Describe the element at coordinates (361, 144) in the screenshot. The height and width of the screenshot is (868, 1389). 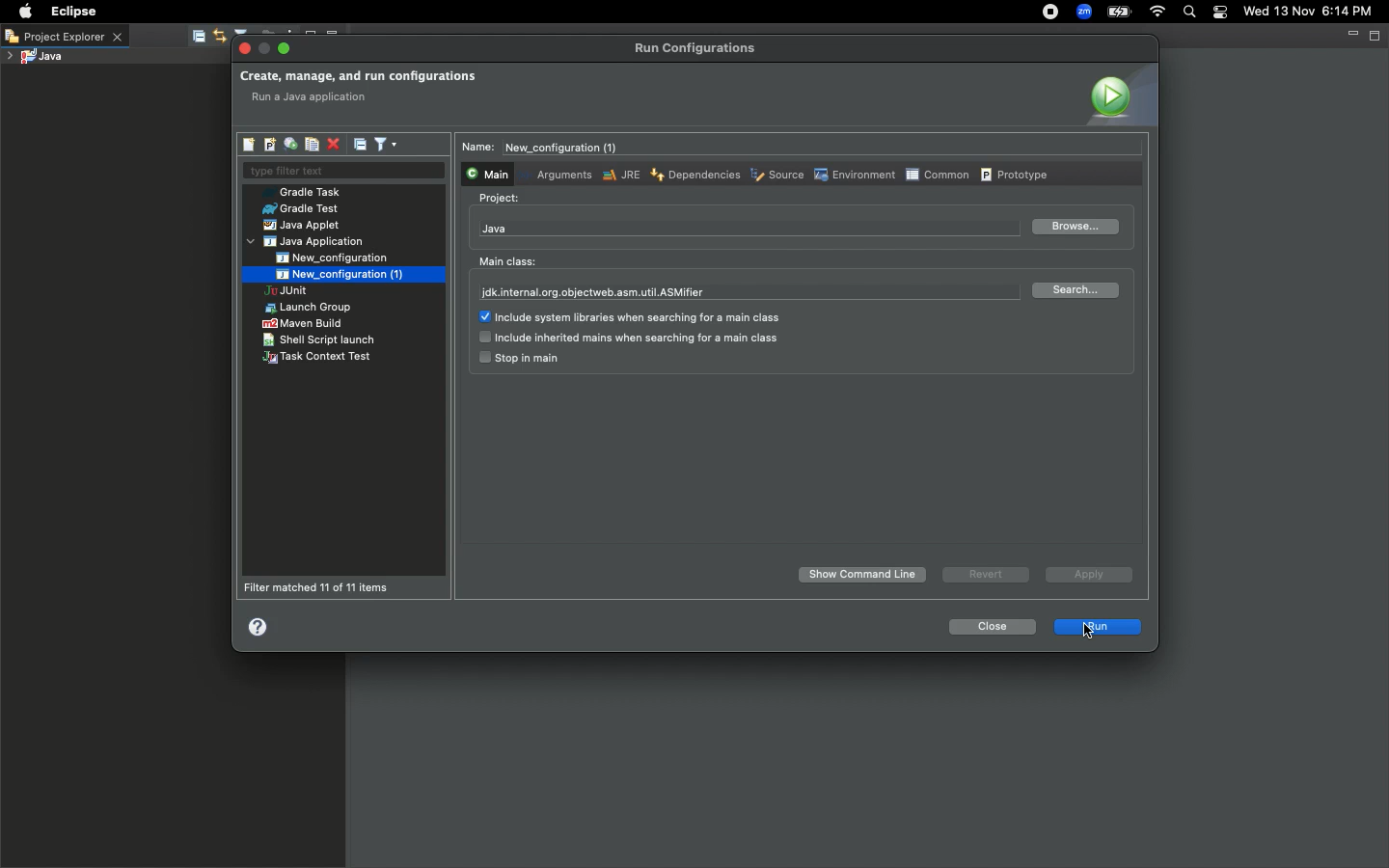
I see `Collapse all` at that location.